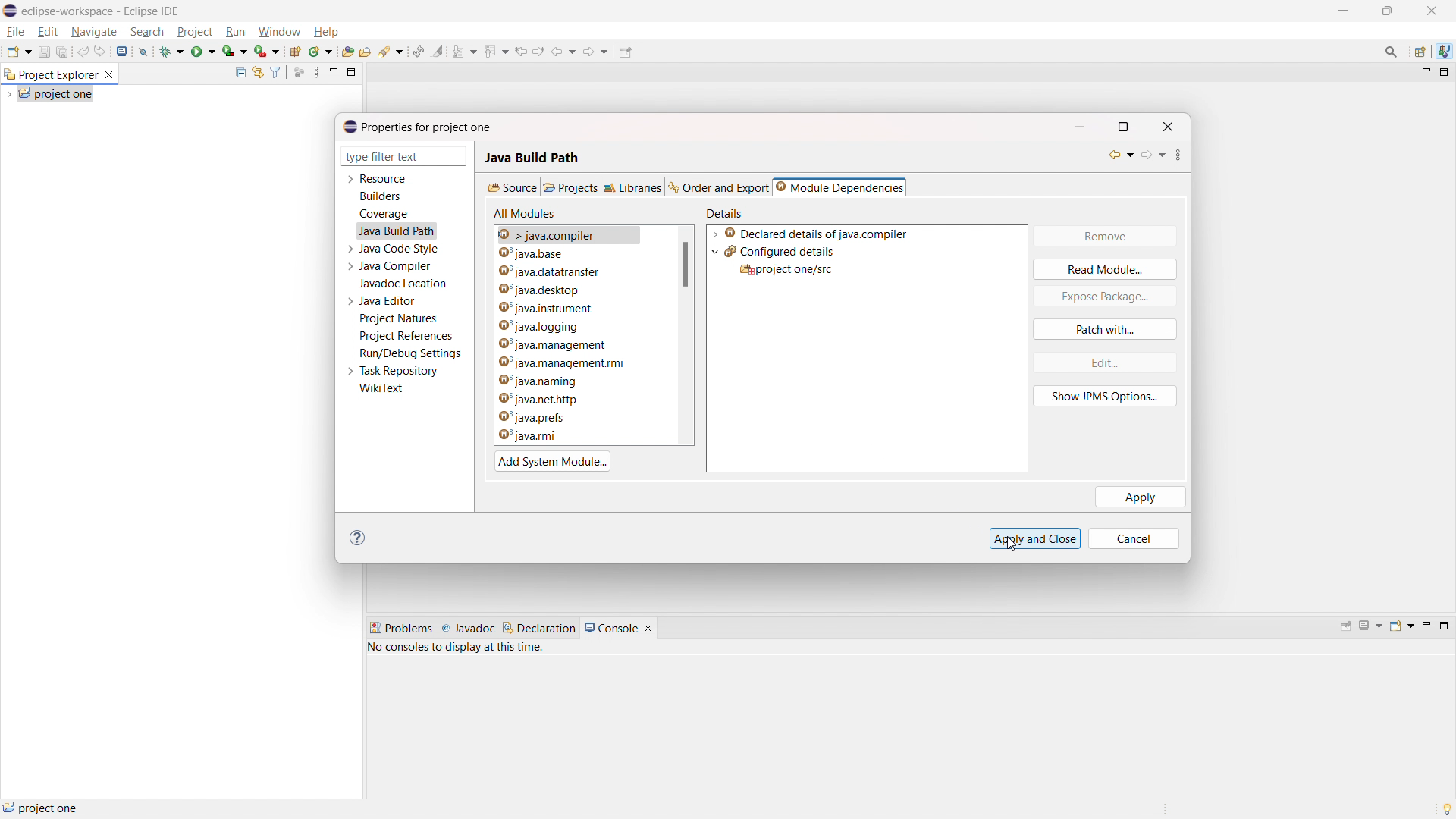 The width and height of the screenshot is (1456, 819). Describe the element at coordinates (1104, 237) in the screenshot. I see `remove` at that location.